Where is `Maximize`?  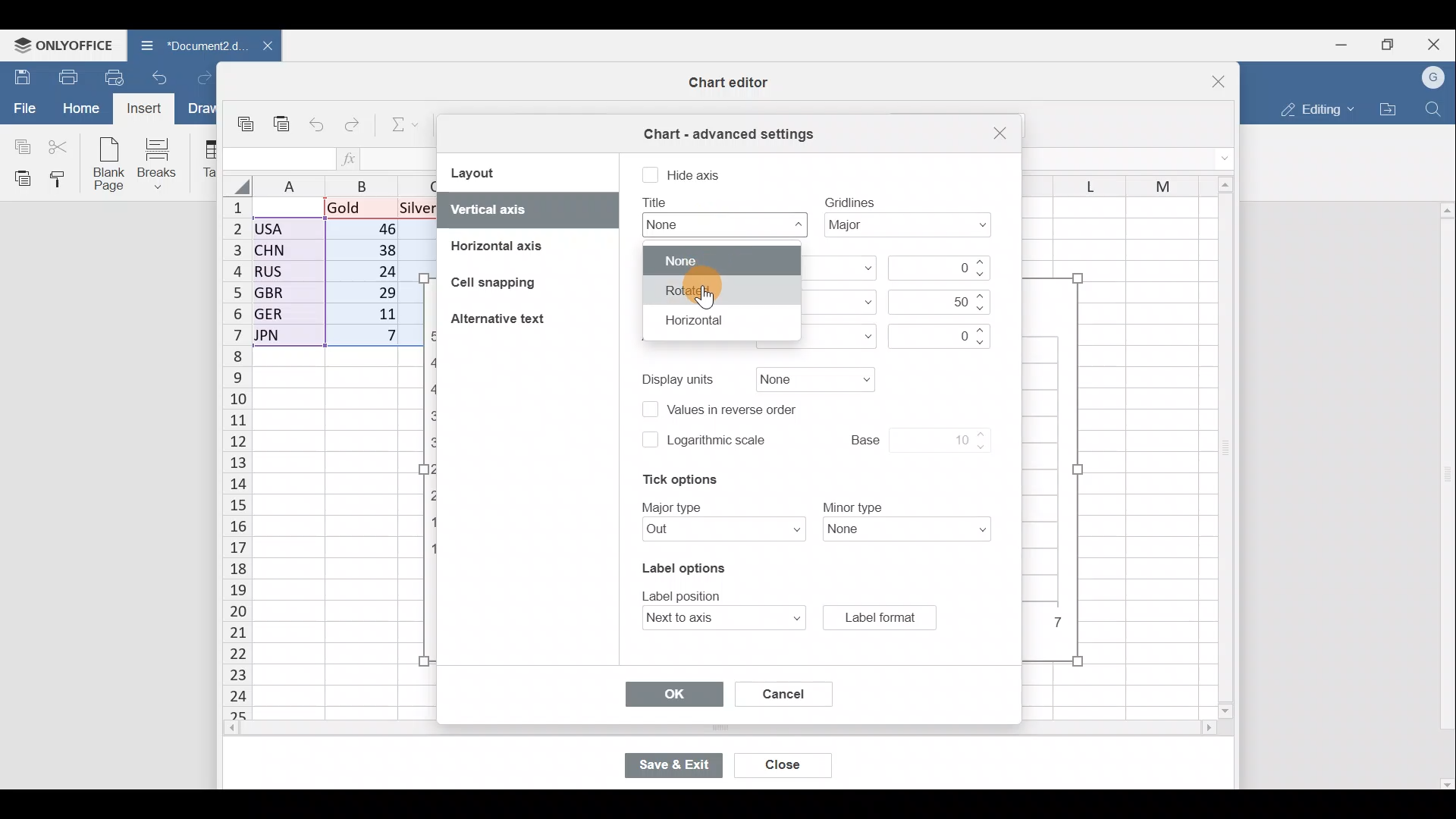
Maximize is located at coordinates (1387, 45).